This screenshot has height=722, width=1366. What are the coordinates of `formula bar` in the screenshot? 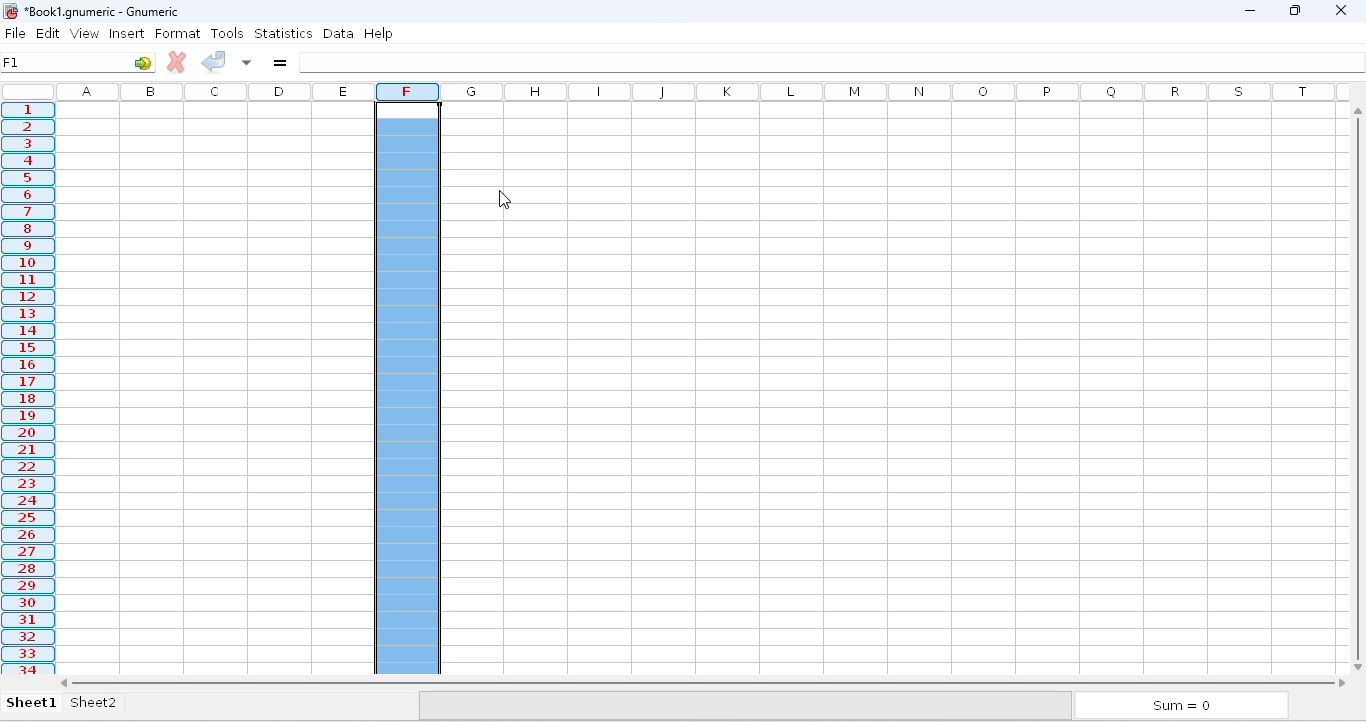 It's located at (832, 63).